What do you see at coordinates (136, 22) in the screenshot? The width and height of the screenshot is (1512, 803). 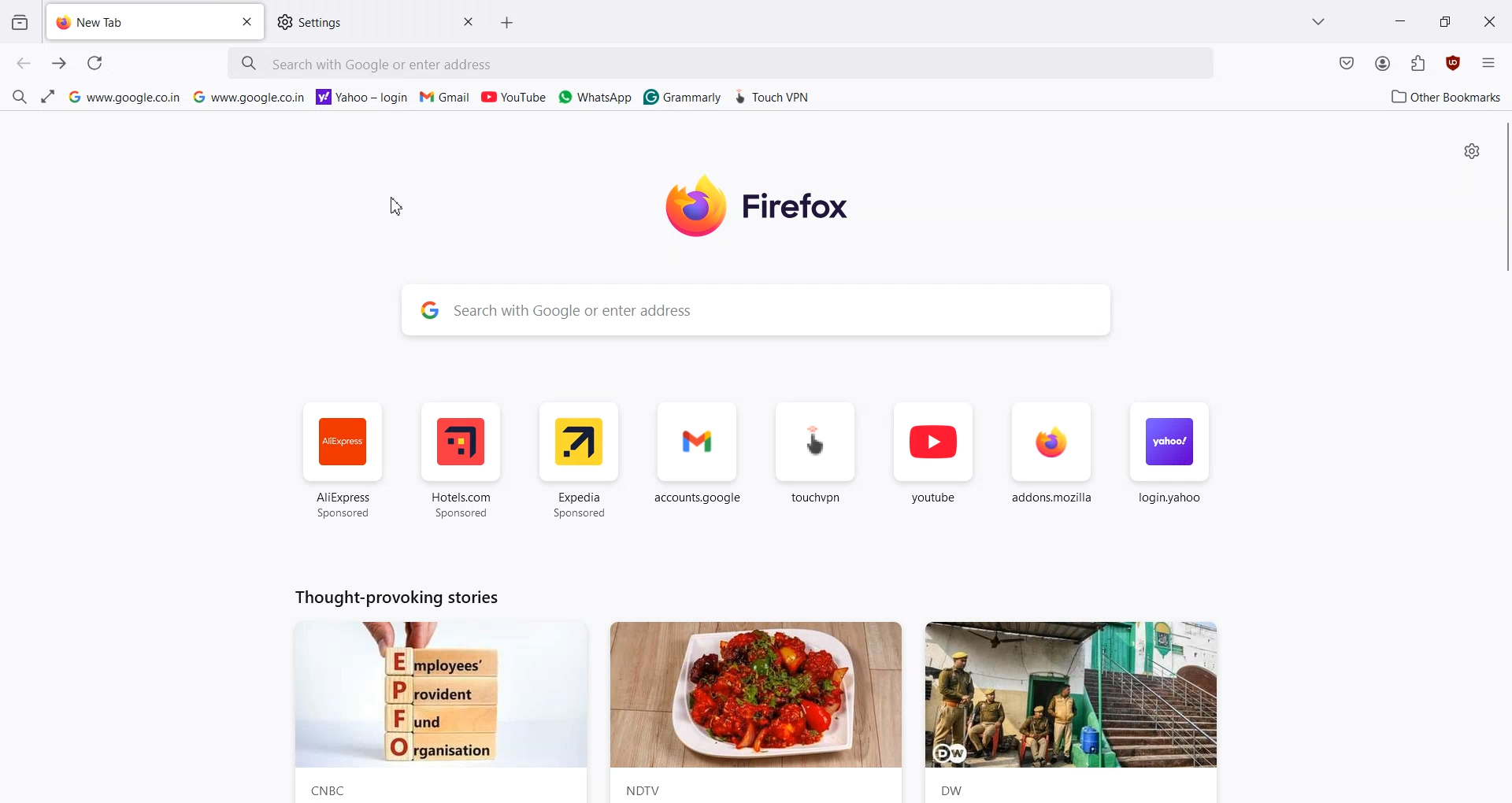 I see `New Tab` at bounding box center [136, 22].